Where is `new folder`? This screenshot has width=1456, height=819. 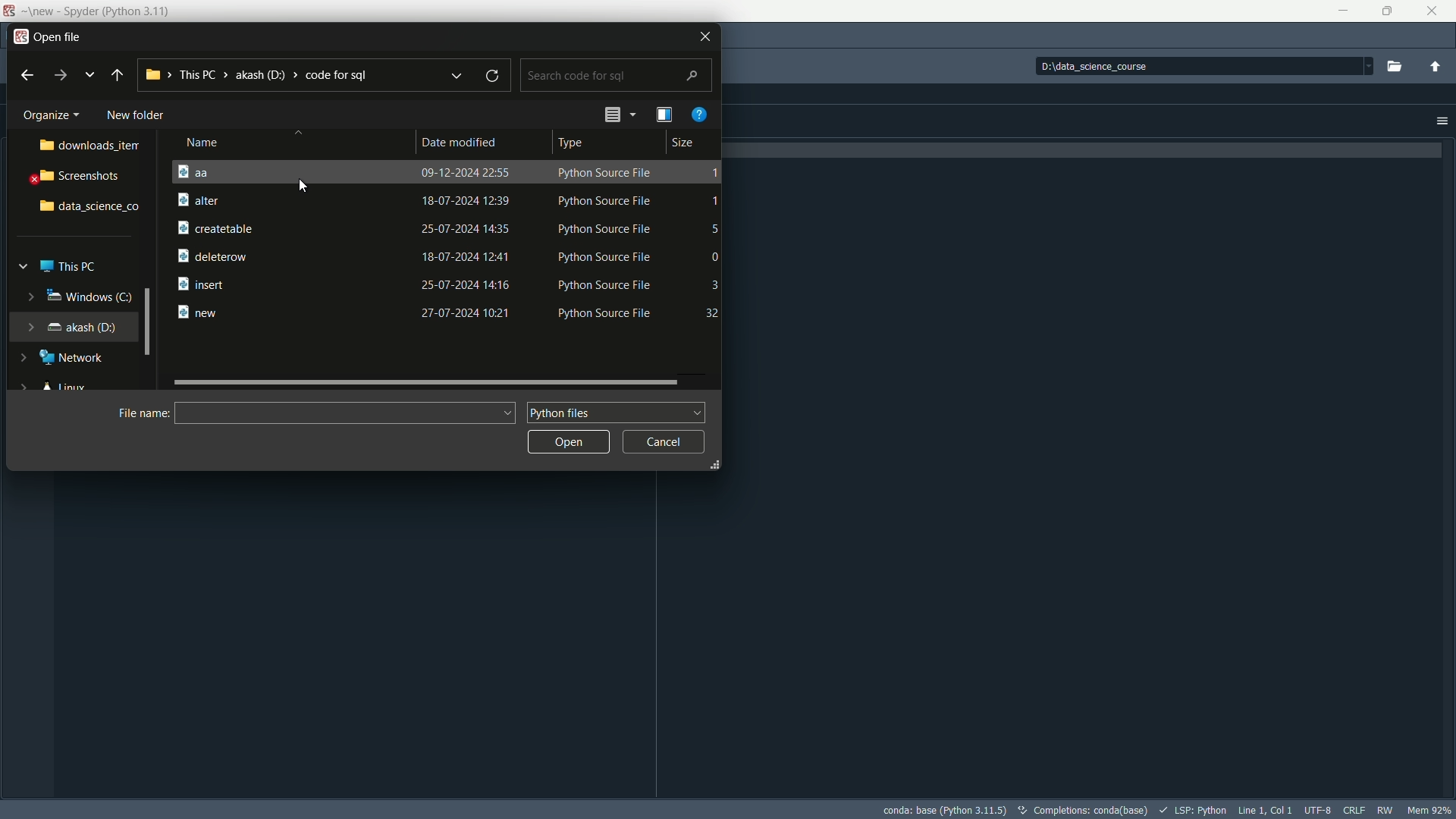 new folder is located at coordinates (141, 113).